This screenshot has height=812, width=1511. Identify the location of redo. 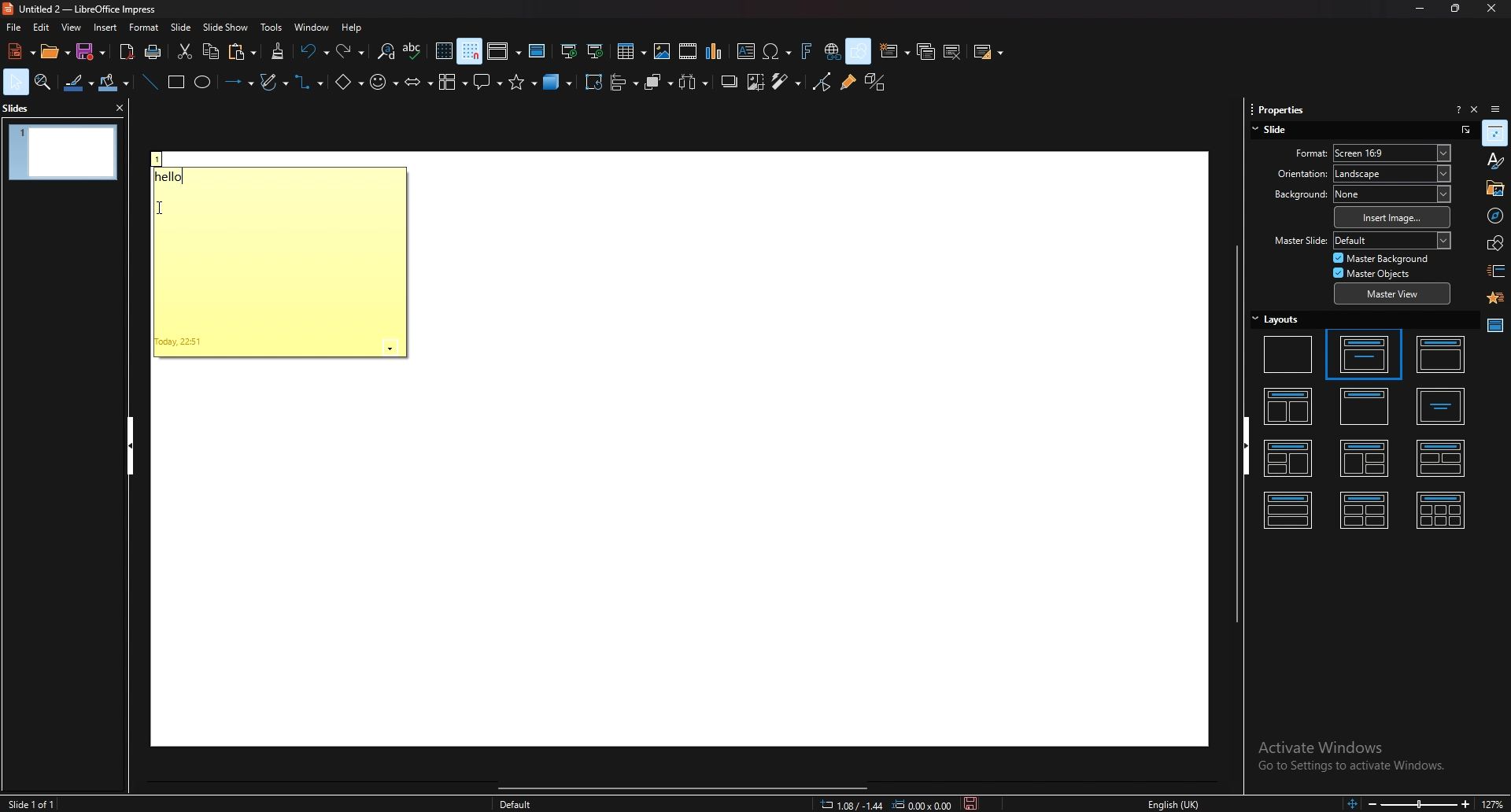
(352, 50).